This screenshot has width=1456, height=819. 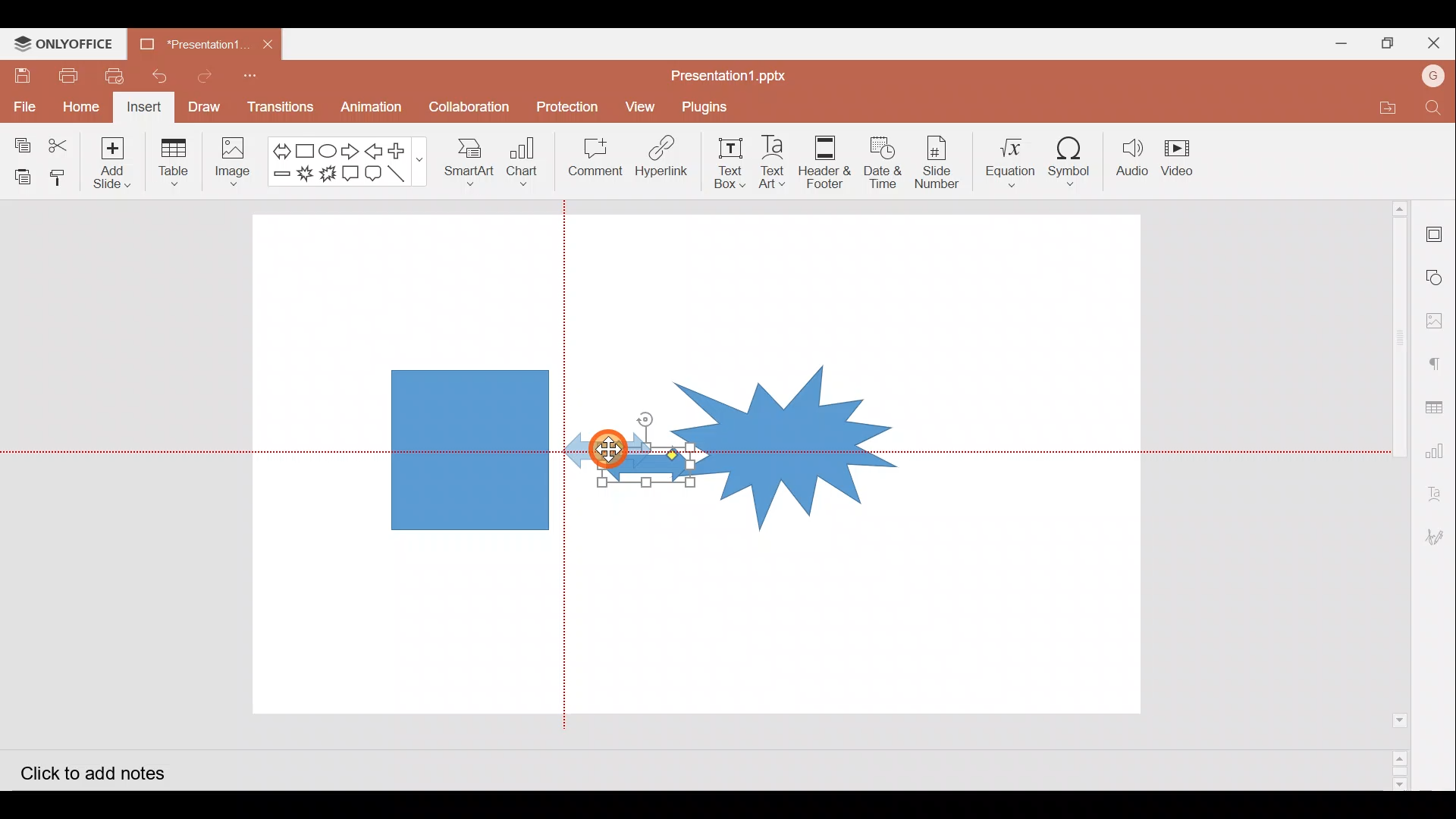 What do you see at coordinates (1433, 78) in the screenshot?
I see `Account name` at bounding box center [1433, 78].